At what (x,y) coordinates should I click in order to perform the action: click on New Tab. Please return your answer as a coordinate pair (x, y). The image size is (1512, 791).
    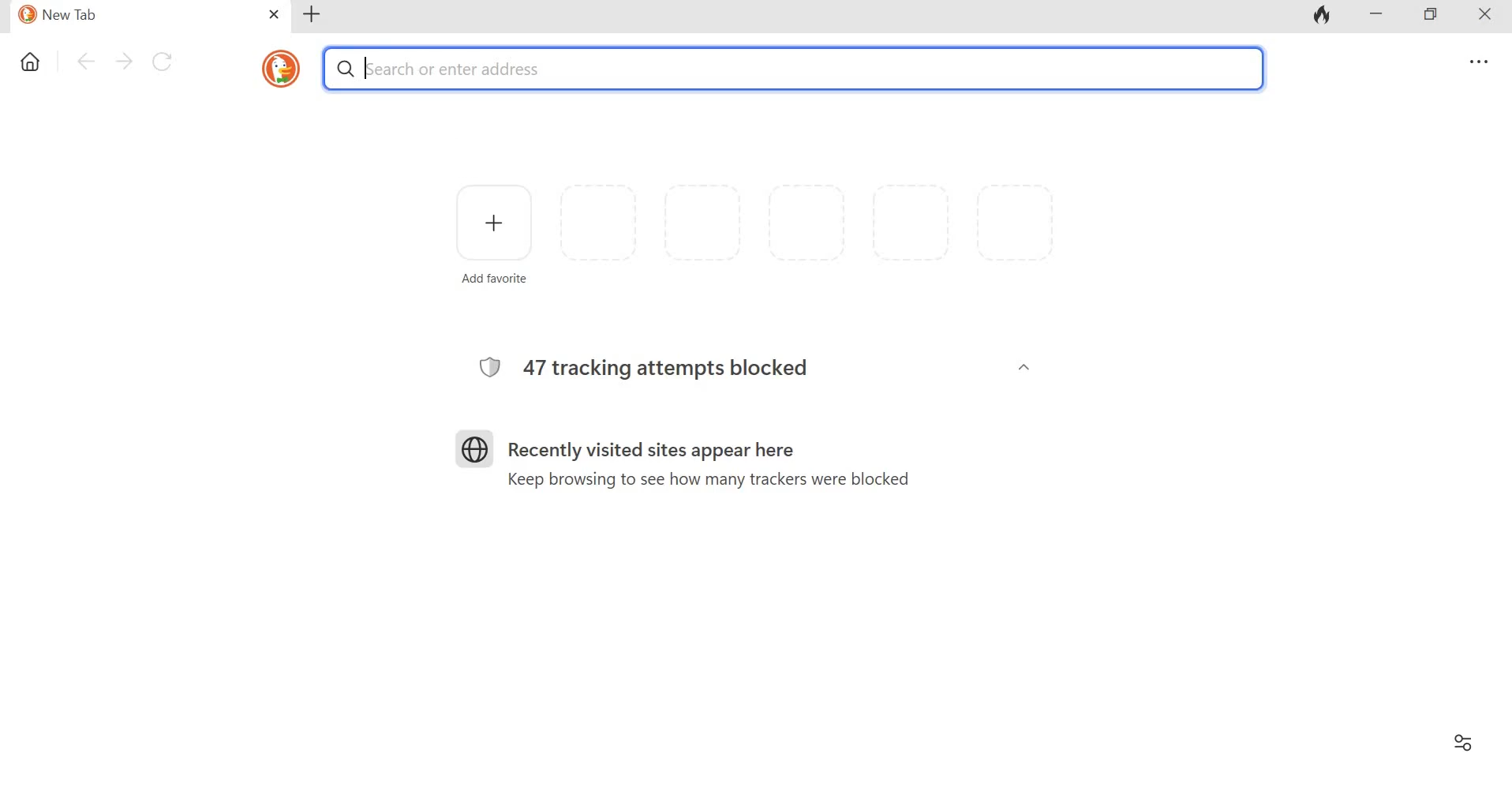
    Looking at the image, I should click on (139, 17).